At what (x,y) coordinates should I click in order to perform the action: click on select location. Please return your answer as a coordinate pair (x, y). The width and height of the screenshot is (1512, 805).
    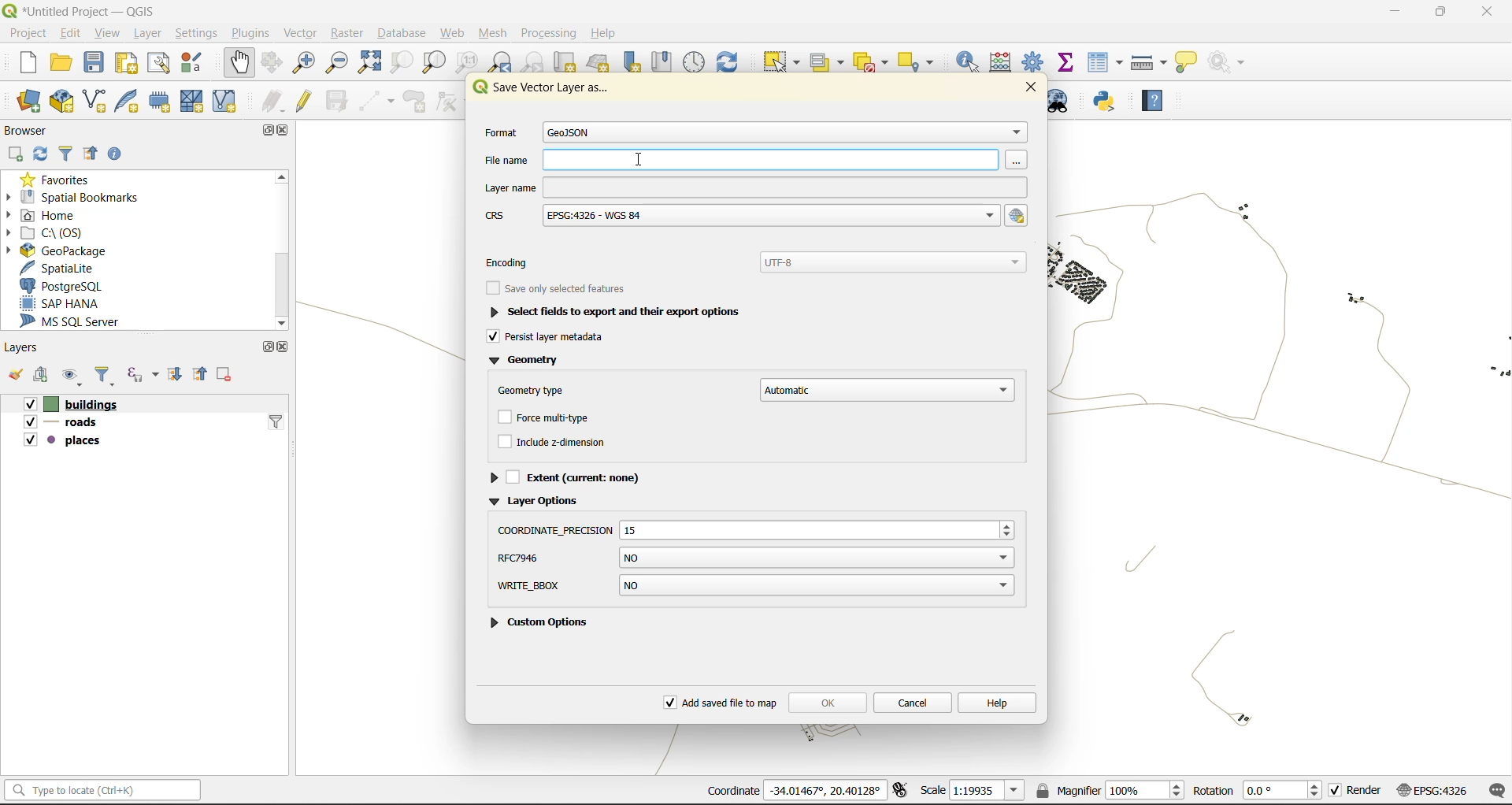
    Looking at the image, I should click on (921, 62).